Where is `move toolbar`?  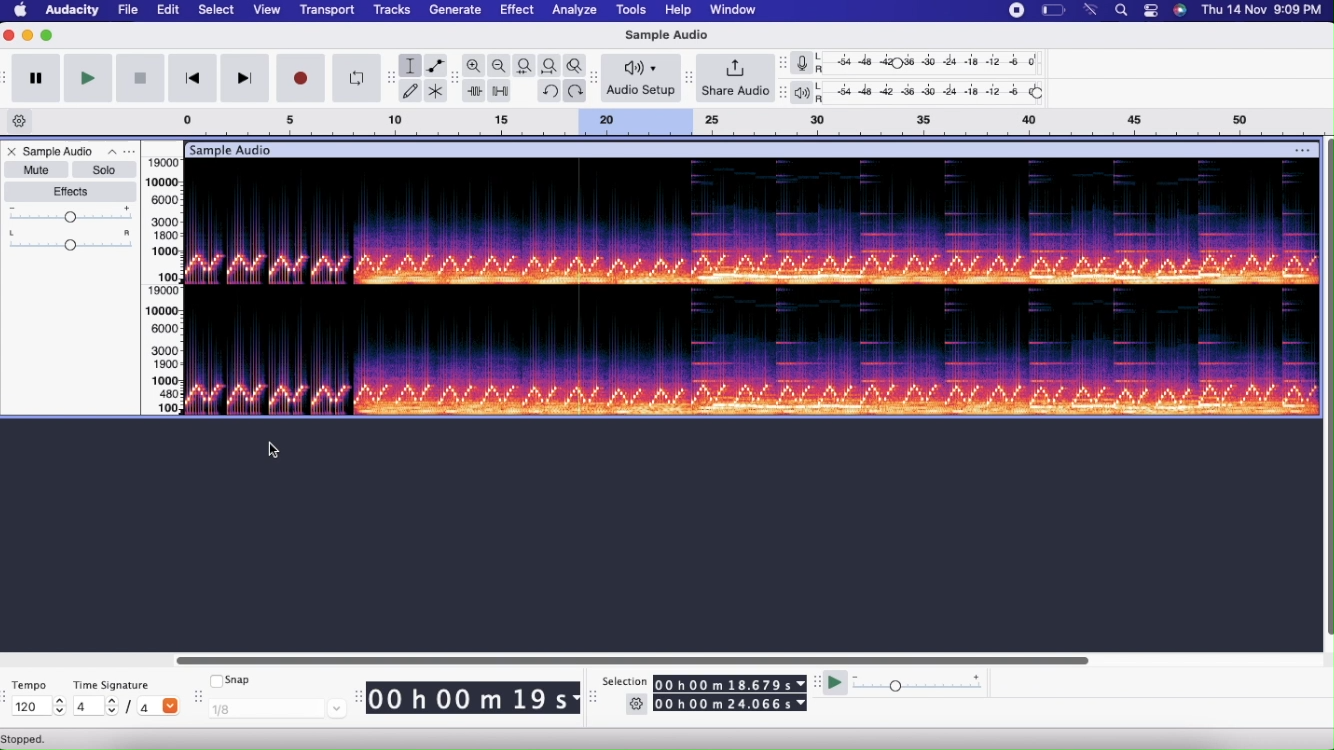
move toolbar is located at coordinates (594, 77).